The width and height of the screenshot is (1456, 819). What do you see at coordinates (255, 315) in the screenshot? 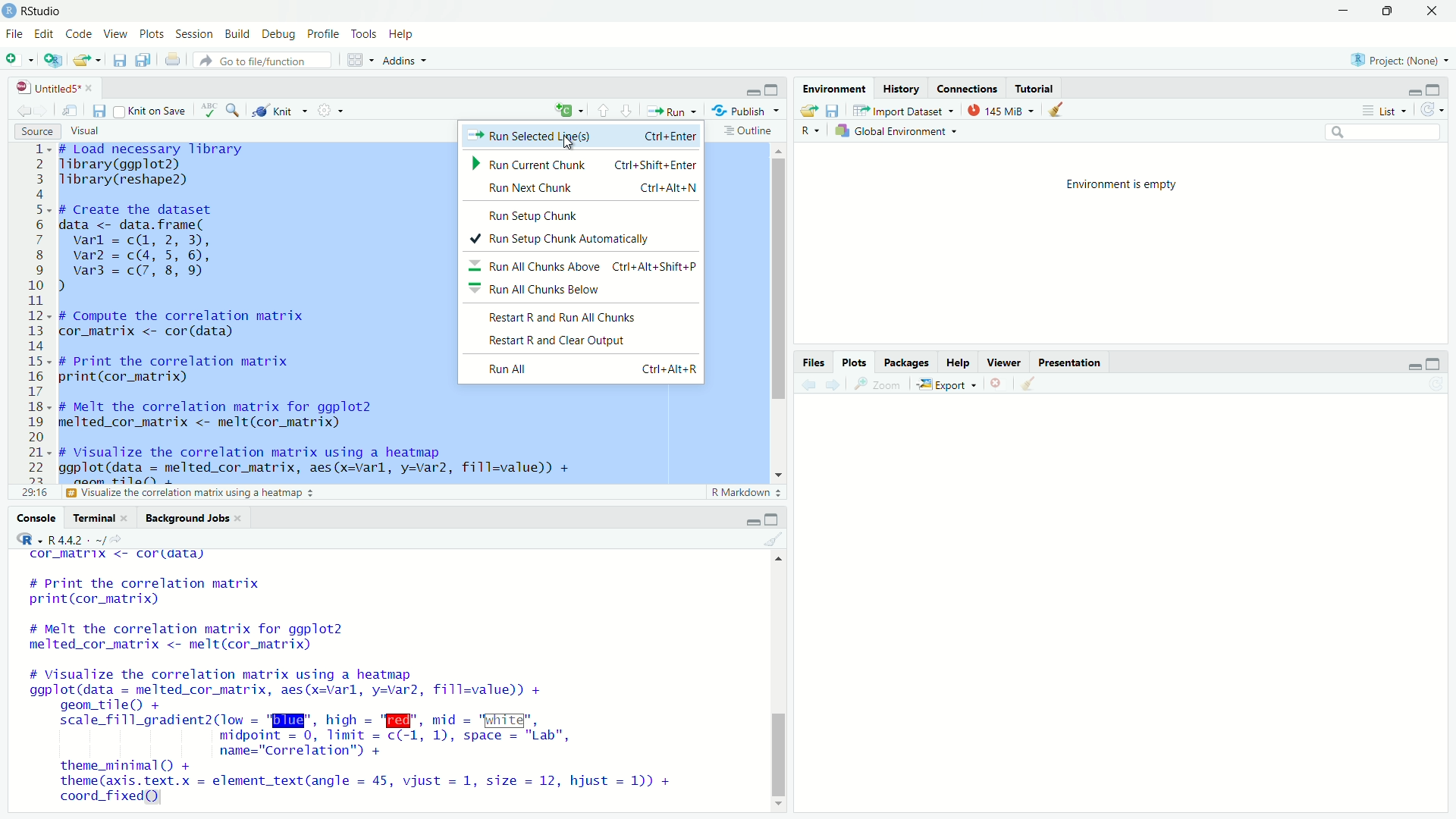
I see `# Load necessary library
Tibrary(ggplot2)
Tibrary(reshape2)
# Create the dataset
data <- data. frame(
varl = c(, 2, 3),
var2 = c(4, 5, 6),
var3 = c(7, 8, 9 I
)
# Compute the correlation matrix
cor_matrix <- cor (data)
# Print the correlation matrix
print(cor_matrix)
# Melt the correlation matrix for ggplot2
melted_cor_matrix <- melt(cor_matrix)
# Visualize the correlation matrix using a heatmap
ggplot(data = melted_cor_matrix, aes(x=varl, y=var2, fill=value)) +
noom +ilal)` at bounding box center [255, 315].